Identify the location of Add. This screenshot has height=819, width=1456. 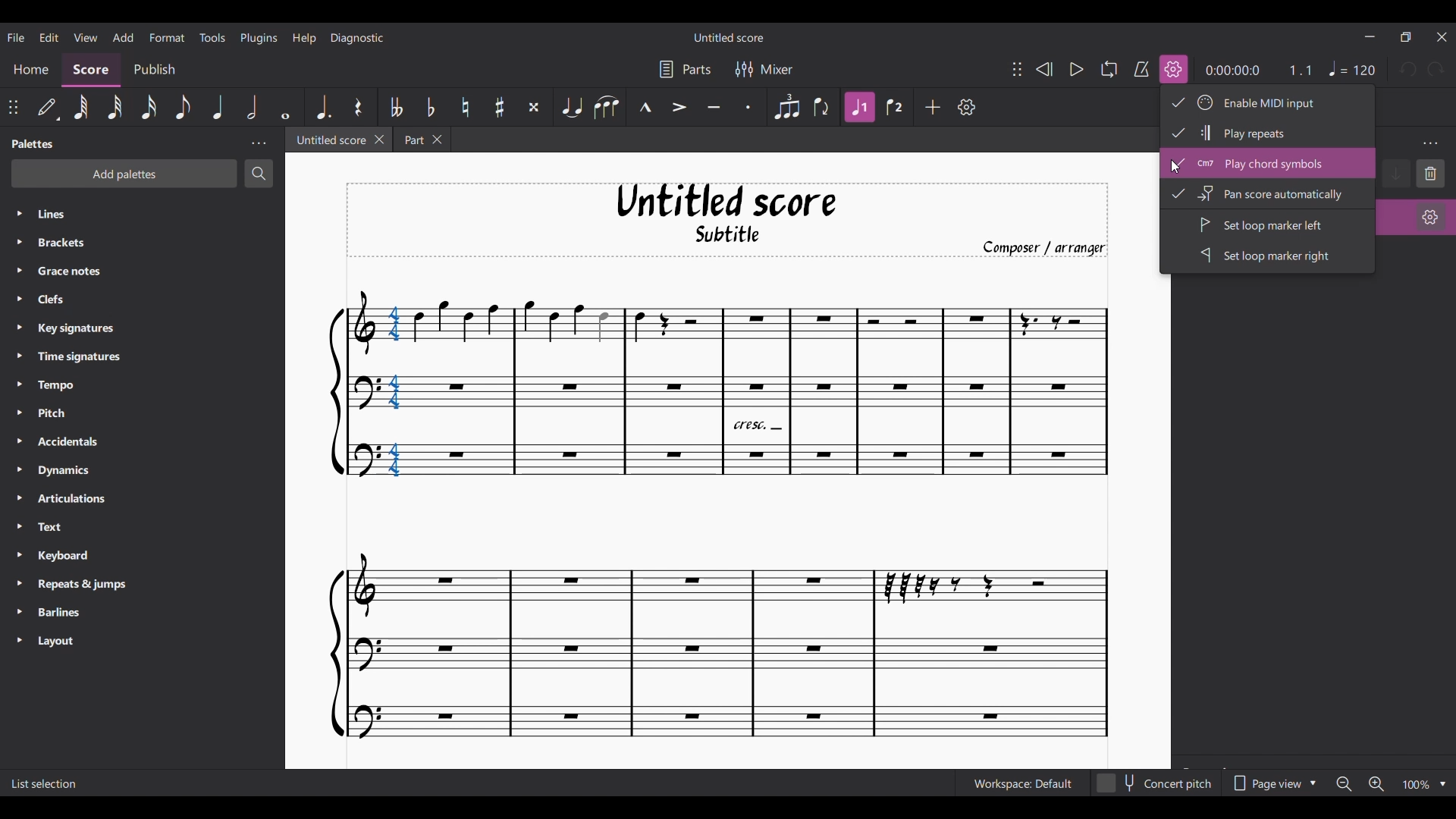
(933, 107).